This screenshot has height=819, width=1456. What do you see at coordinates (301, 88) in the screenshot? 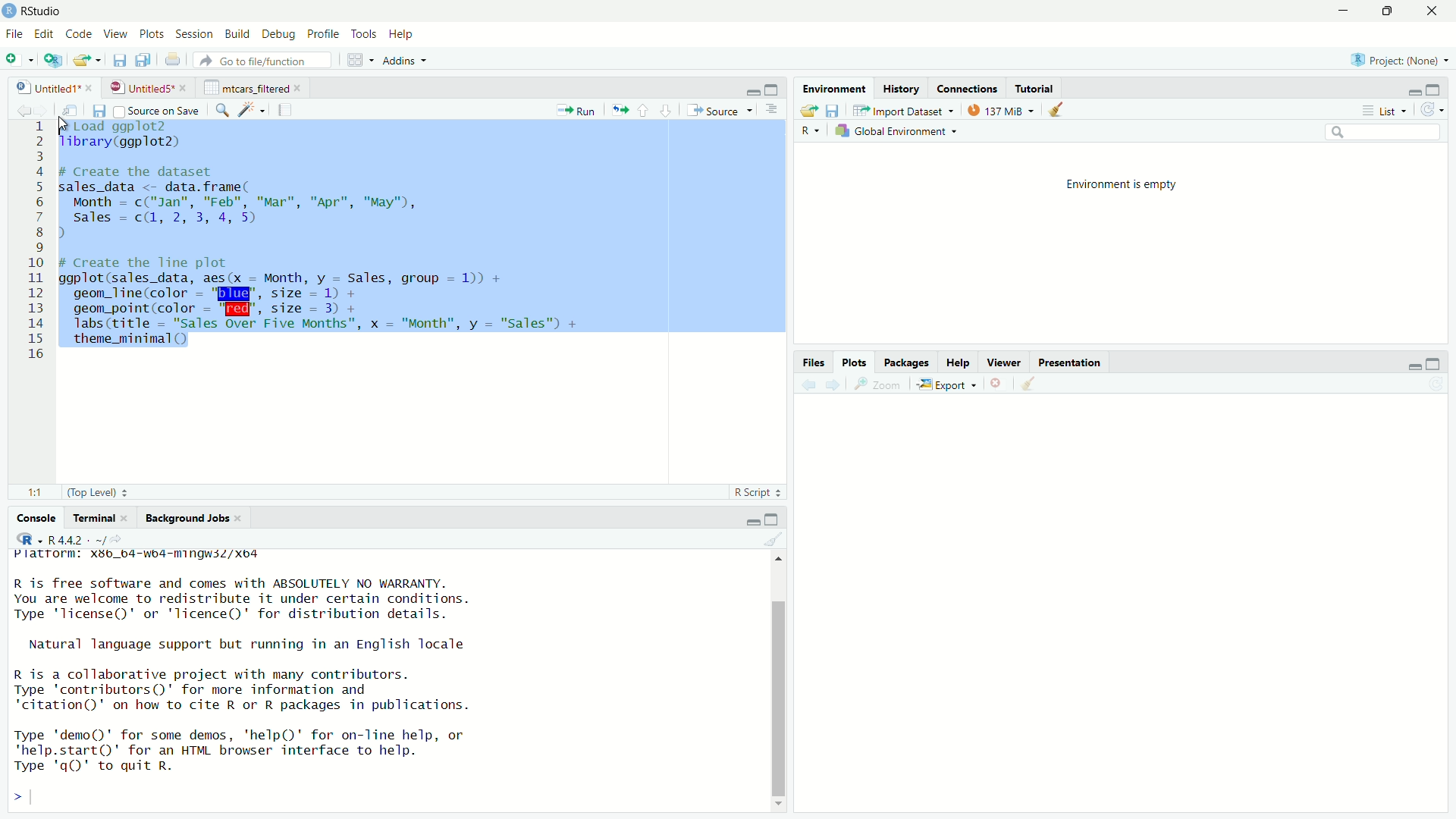
I see `close` at bounding box center [301, 88].